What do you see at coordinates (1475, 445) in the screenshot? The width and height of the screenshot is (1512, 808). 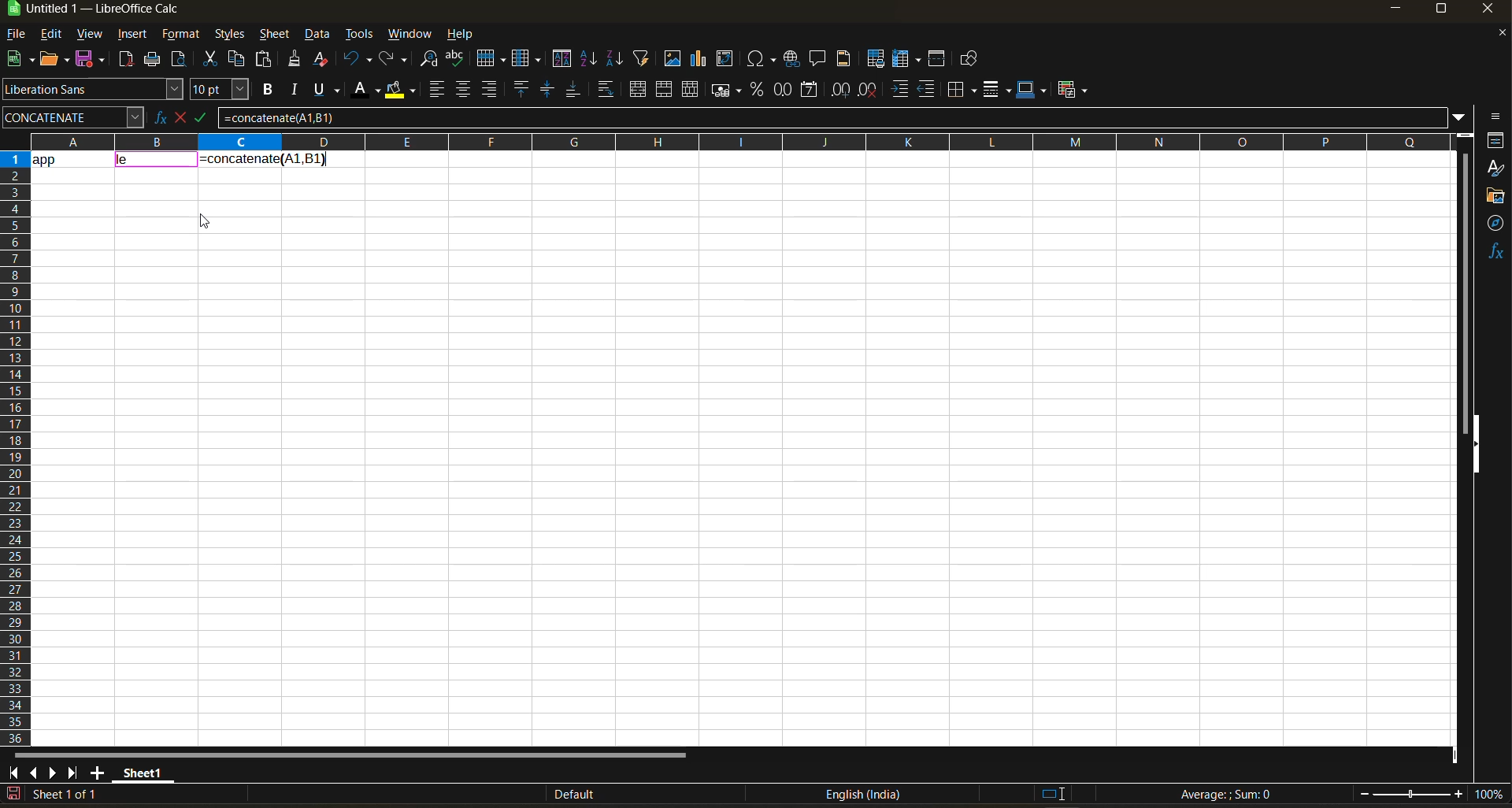 I see `hide` at bounding box center [1475, 445].